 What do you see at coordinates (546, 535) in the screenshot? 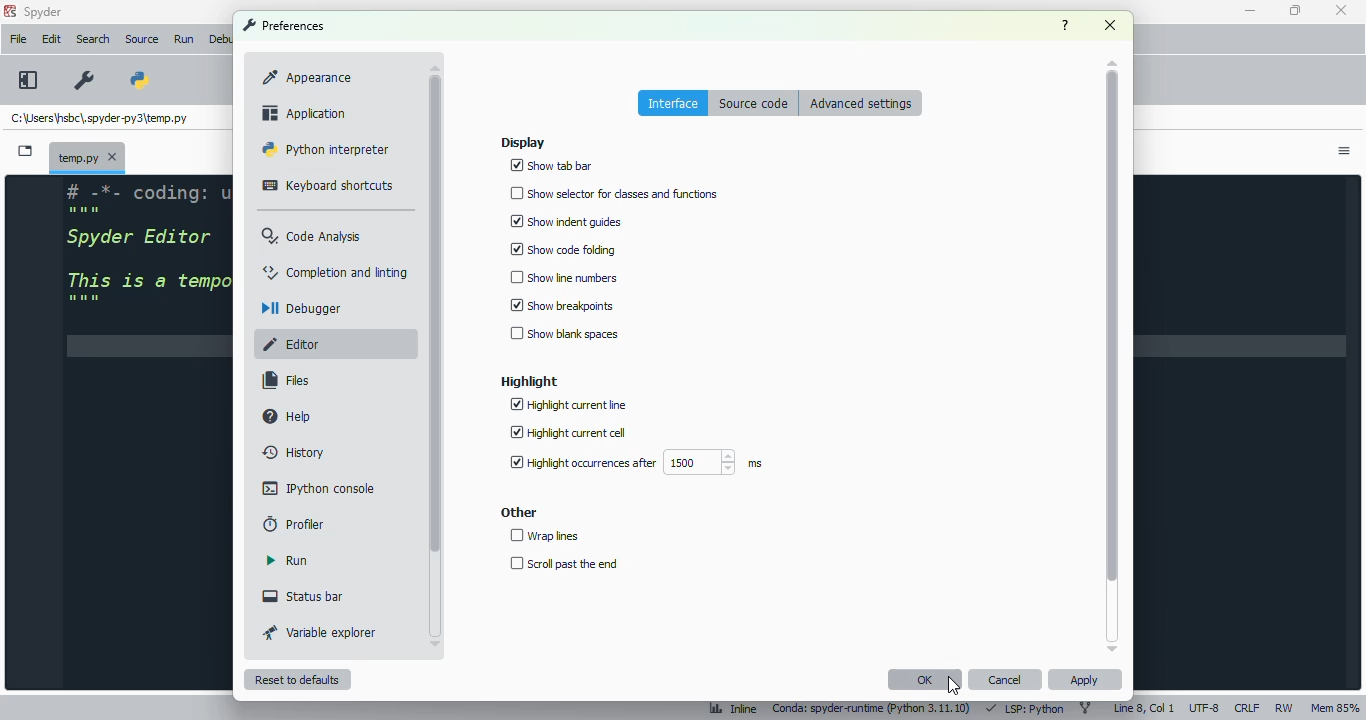
I see `wrap lines` at bounding box center [546, 535].